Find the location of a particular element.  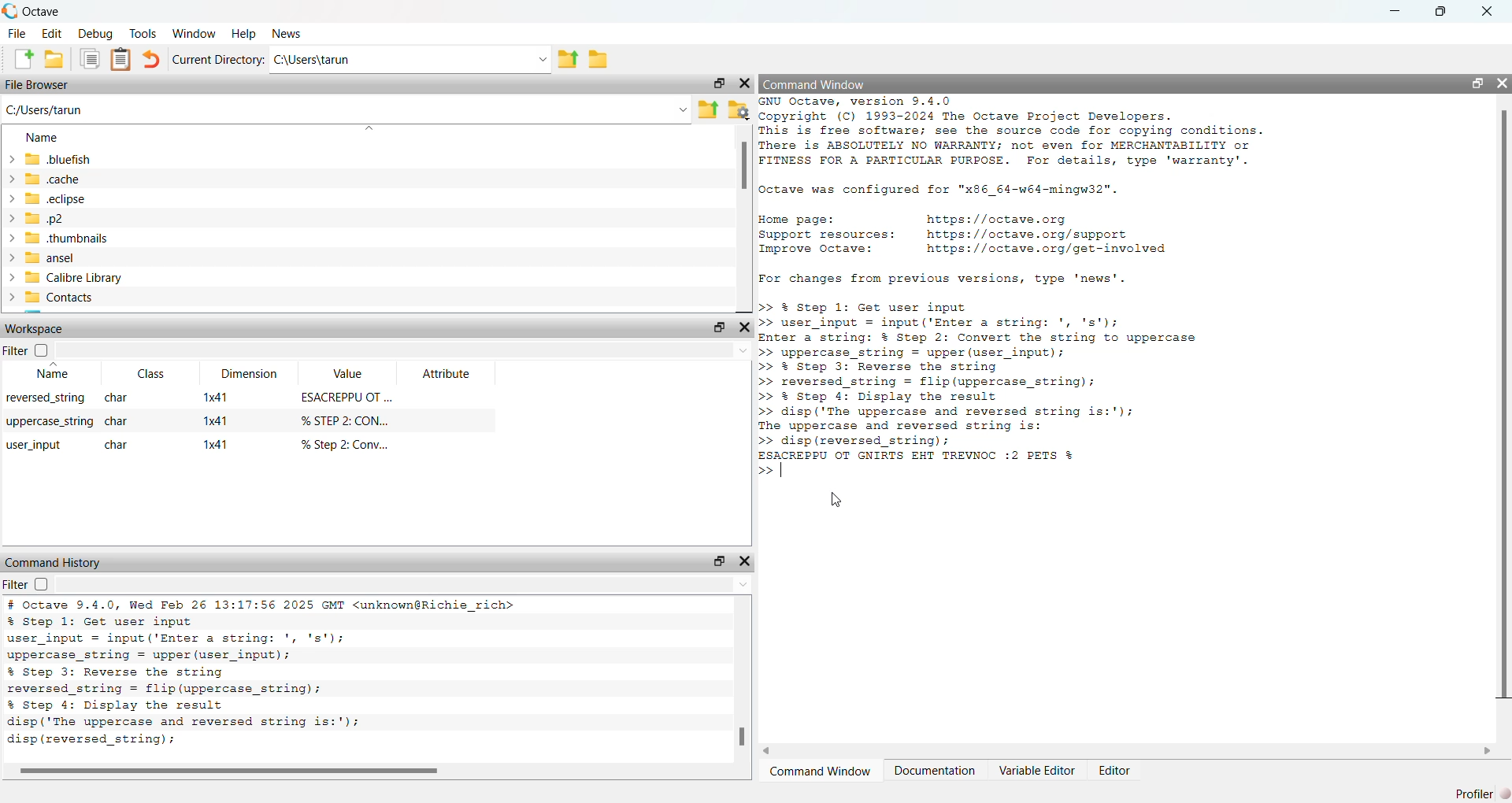

code to reverse the string is located at coordinates (951, 375).